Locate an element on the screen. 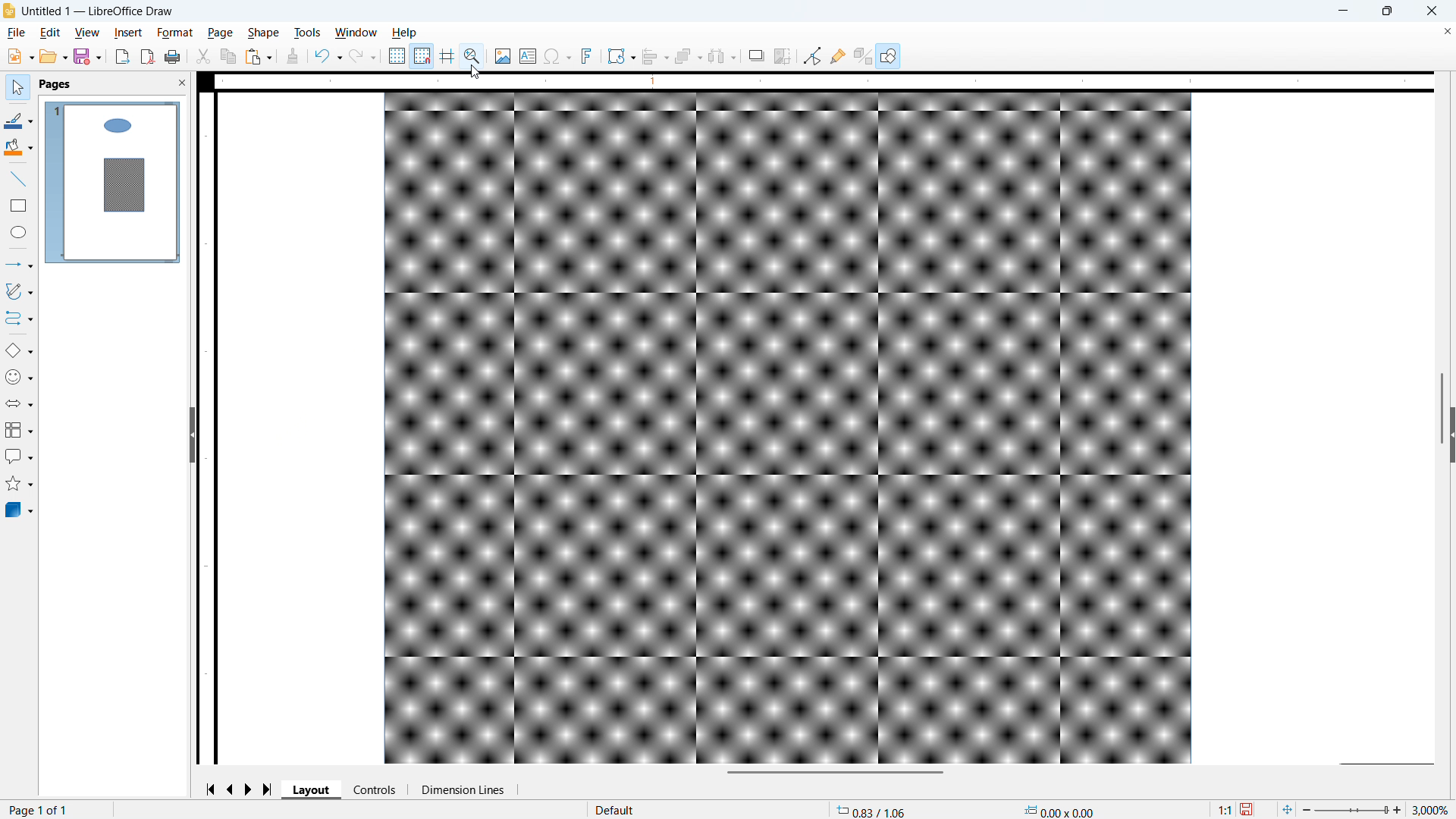 This screenshot has height=819, width=1456. Controls  is located at coordinates (376, 790).